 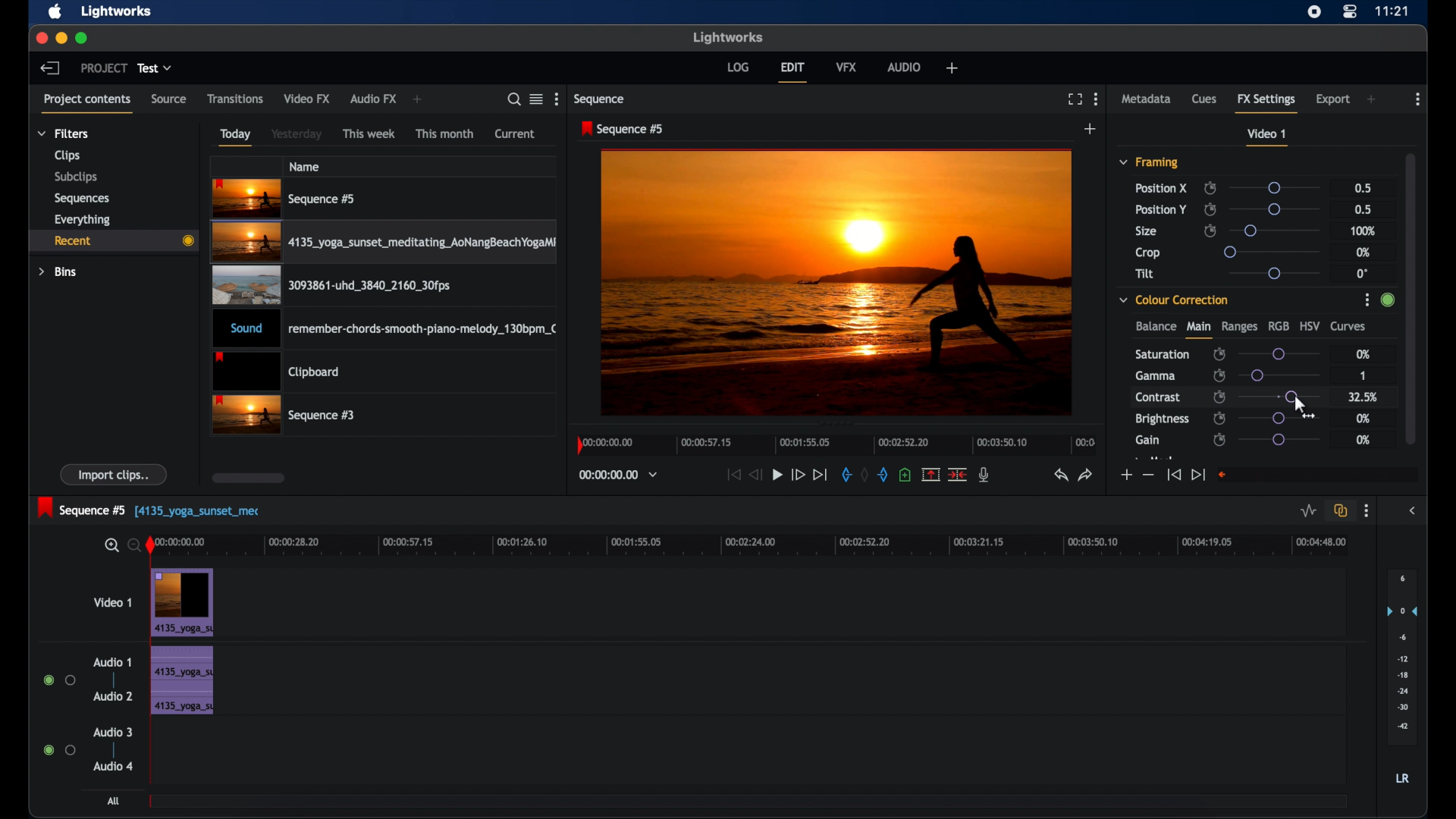 What do you see at coordinates (1156, 375) in the screenshot?
I see `gamma` at bounding box center [1156, 375].